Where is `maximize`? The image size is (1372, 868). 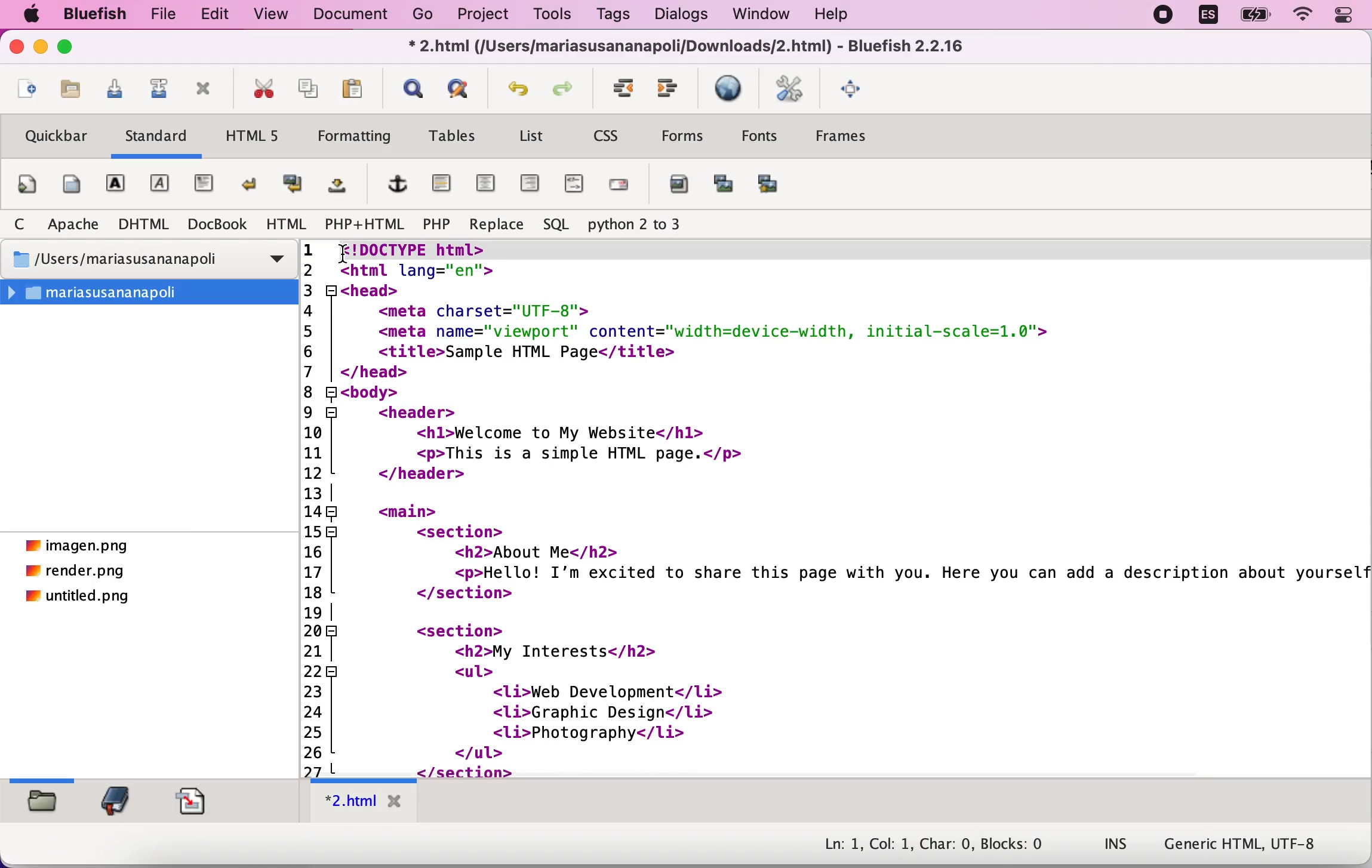
maximize is located at coordinates (72, 48).